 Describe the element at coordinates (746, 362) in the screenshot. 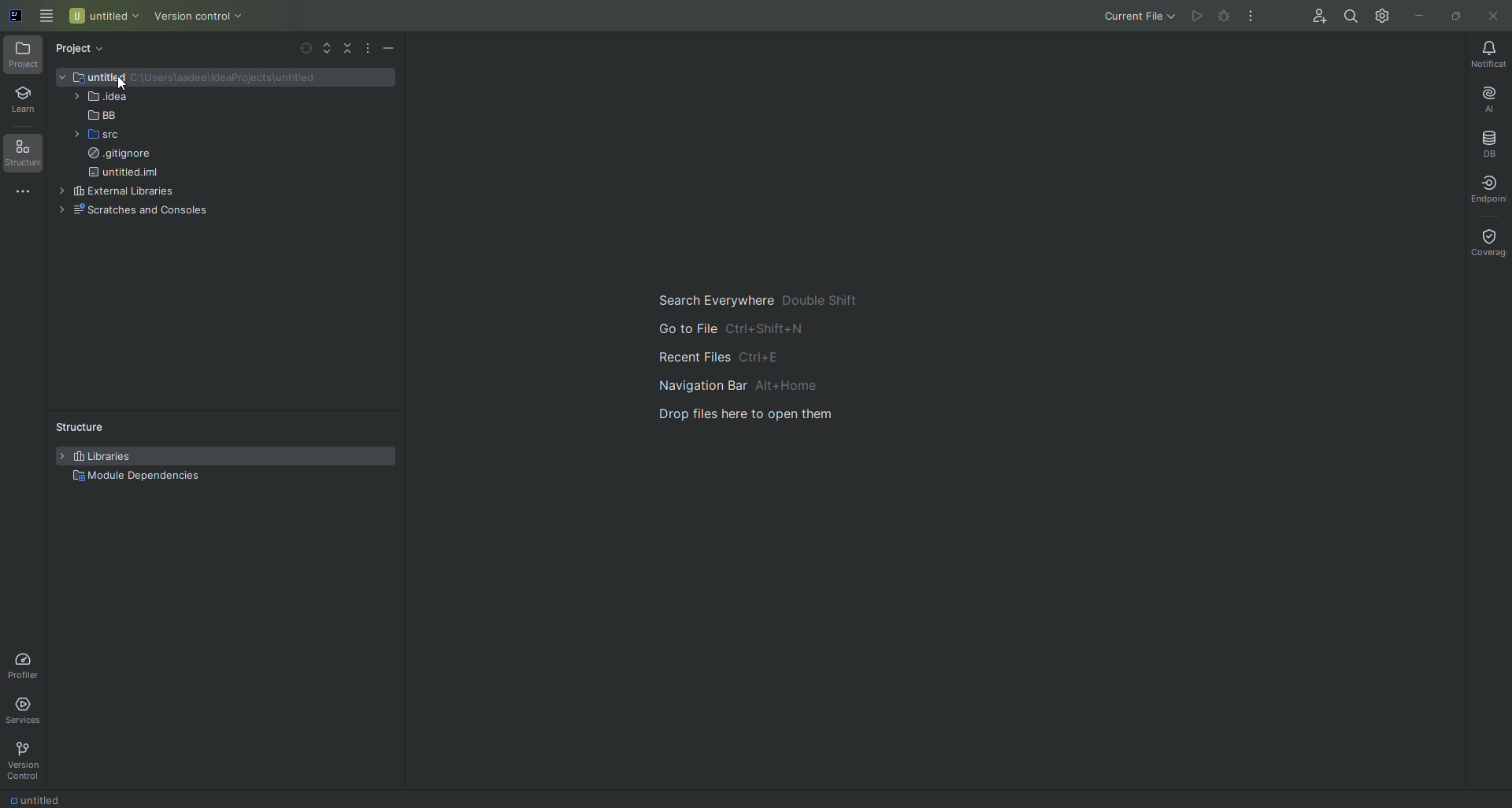

I see `Main guide to search and navigate the files.` at that location.